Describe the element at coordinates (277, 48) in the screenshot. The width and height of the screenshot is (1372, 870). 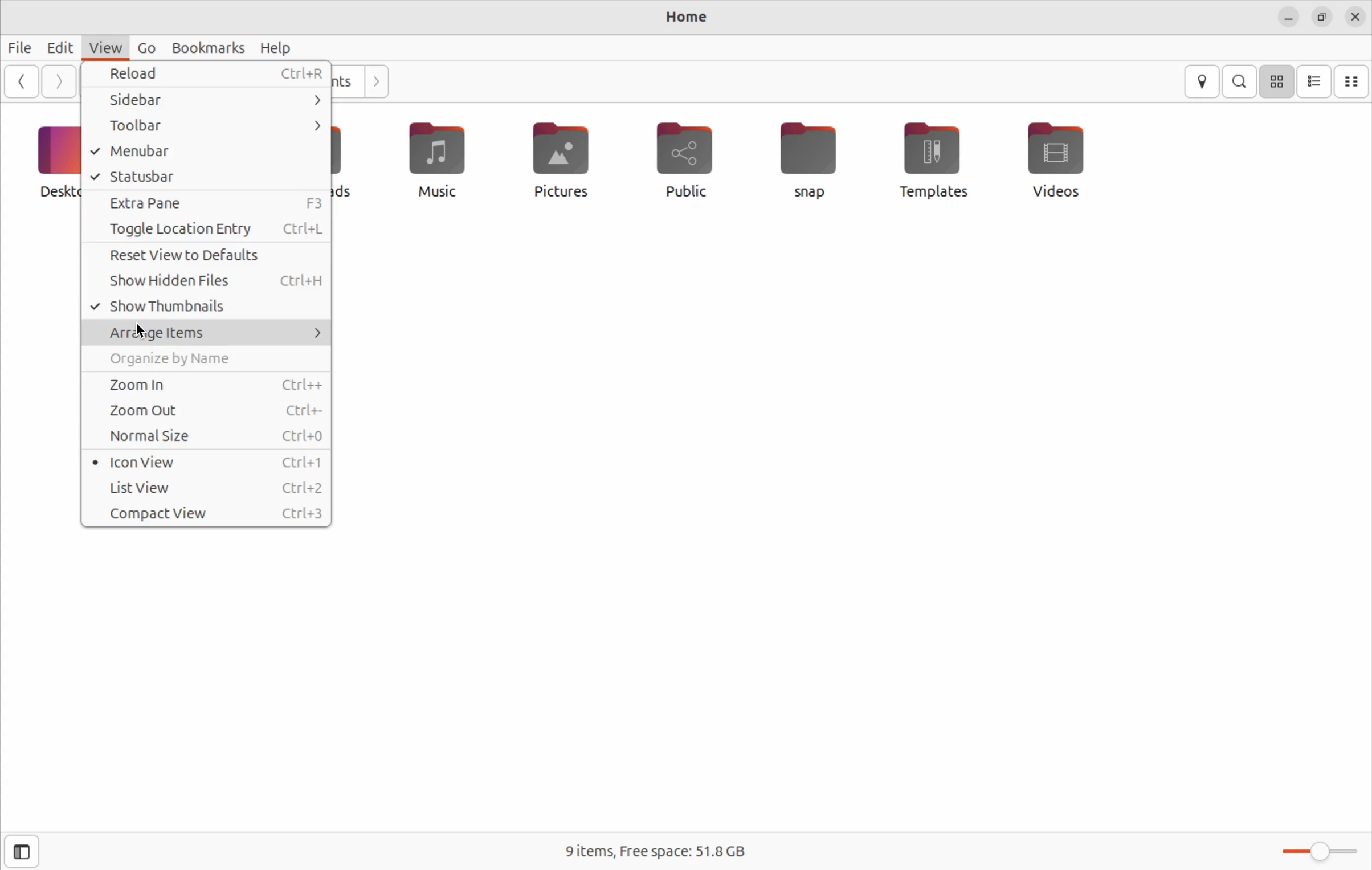
I see `help` at that location.